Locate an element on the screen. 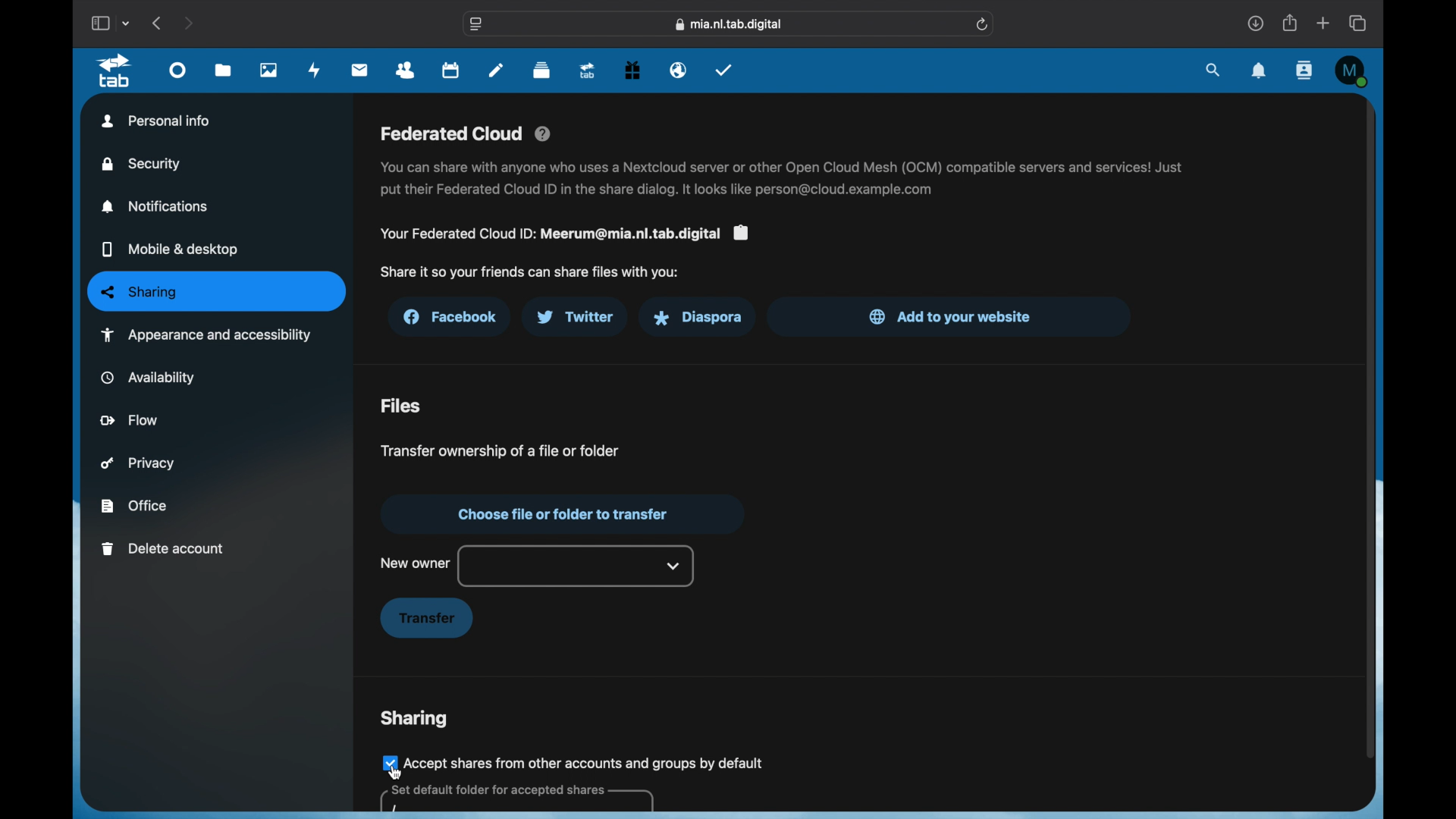 The height and width of the screenshot is (819, 1456). add to your website is located at coordinates (951, 316).